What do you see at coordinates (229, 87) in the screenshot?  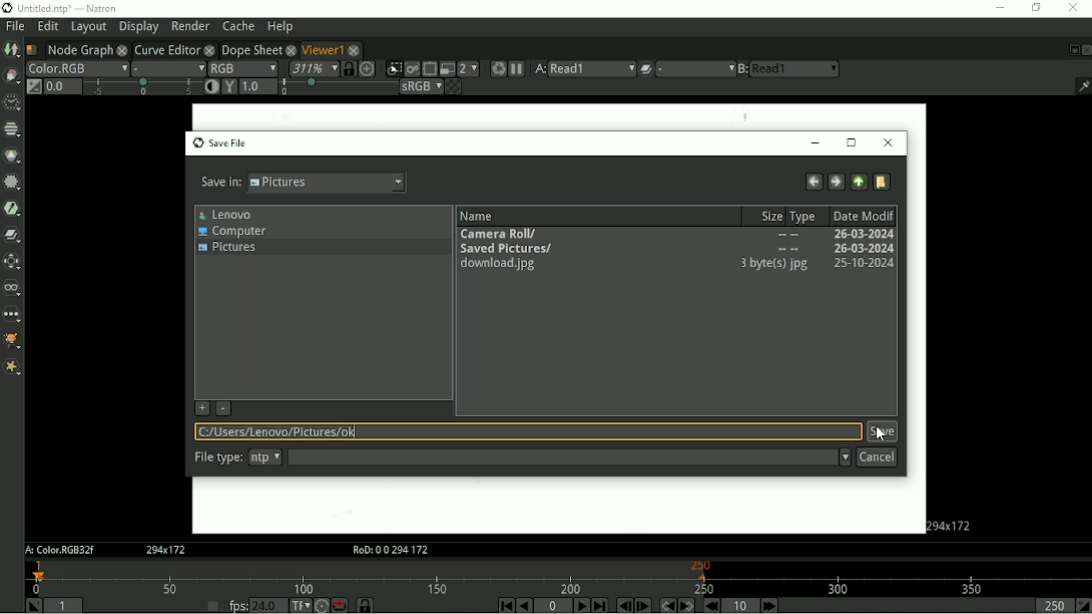 I see `Viewer gamma correction` at bounding box center [229, 87].